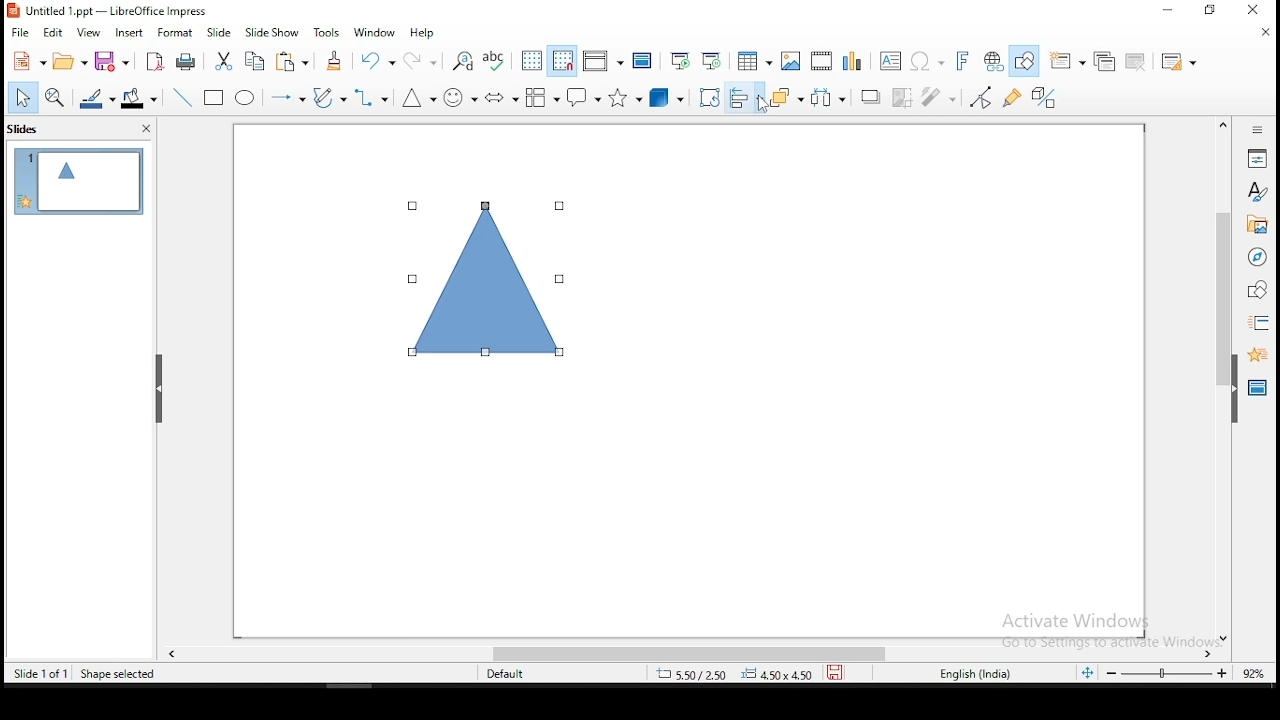  What do you see at coordinates (143, 96) in the screenshot?
I see `fill color` at bounding box center [143, 96].